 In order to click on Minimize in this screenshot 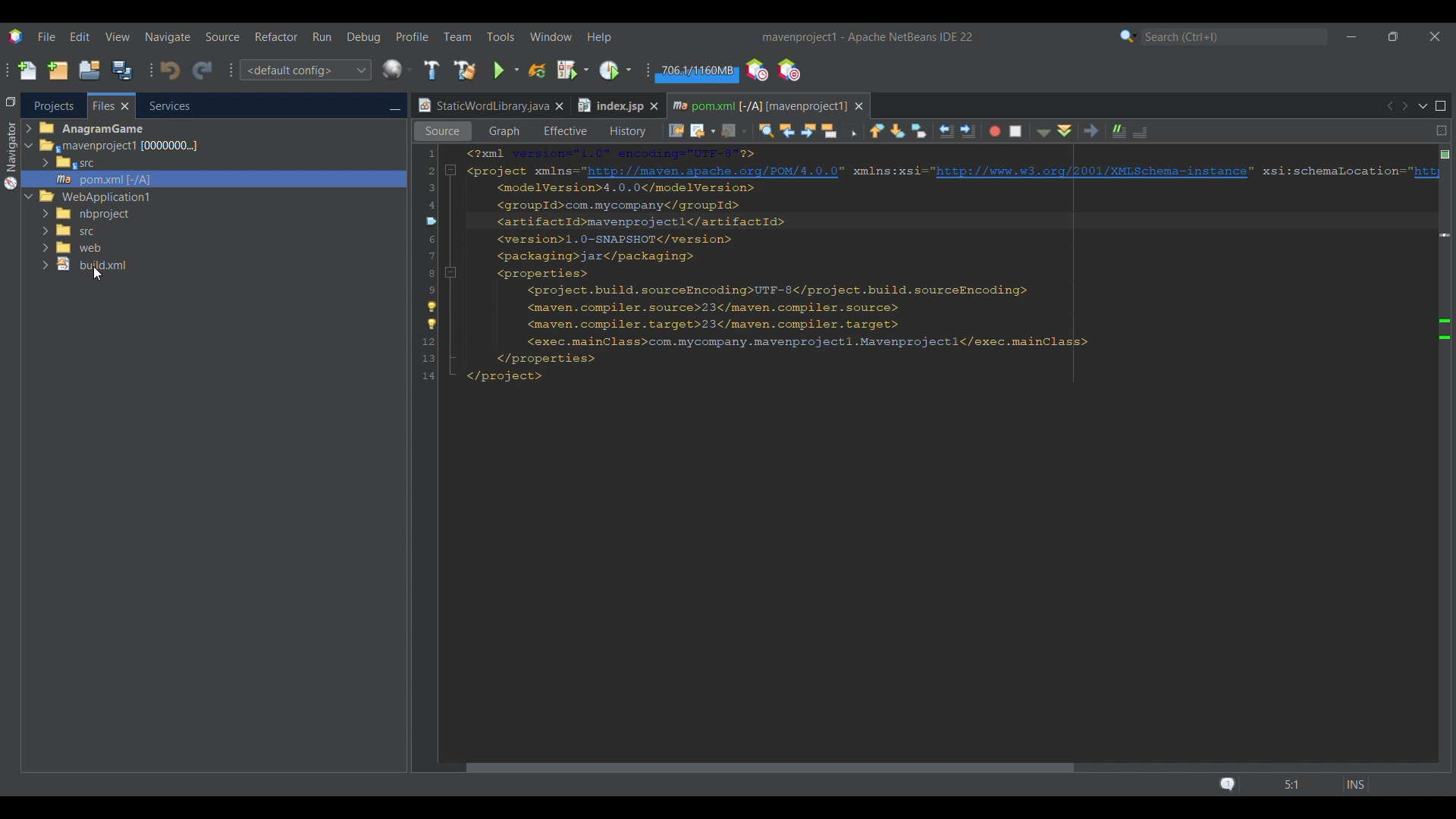, I will do `click(394, 107)`.